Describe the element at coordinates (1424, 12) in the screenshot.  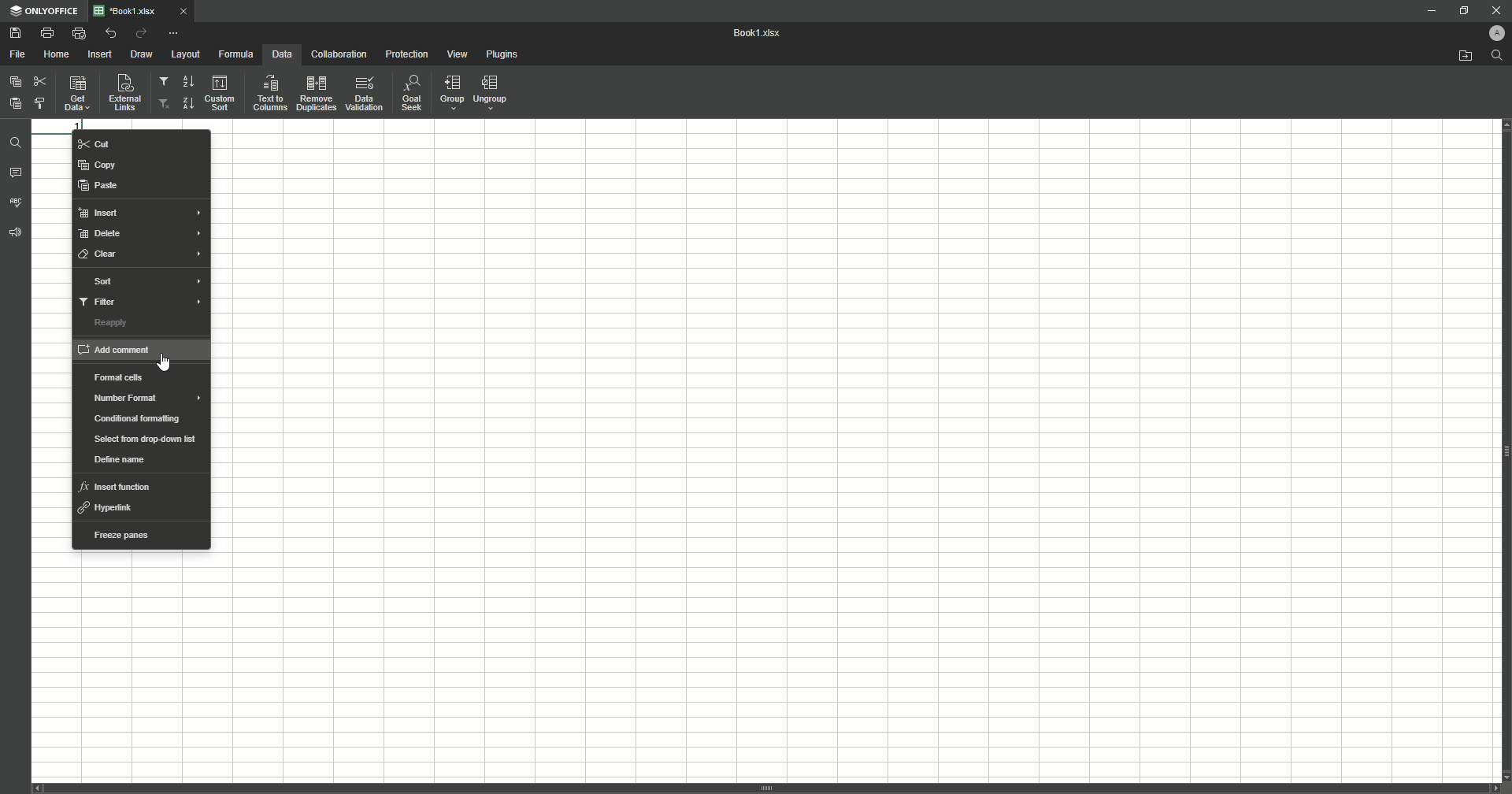
I see `Minimize` at that location.